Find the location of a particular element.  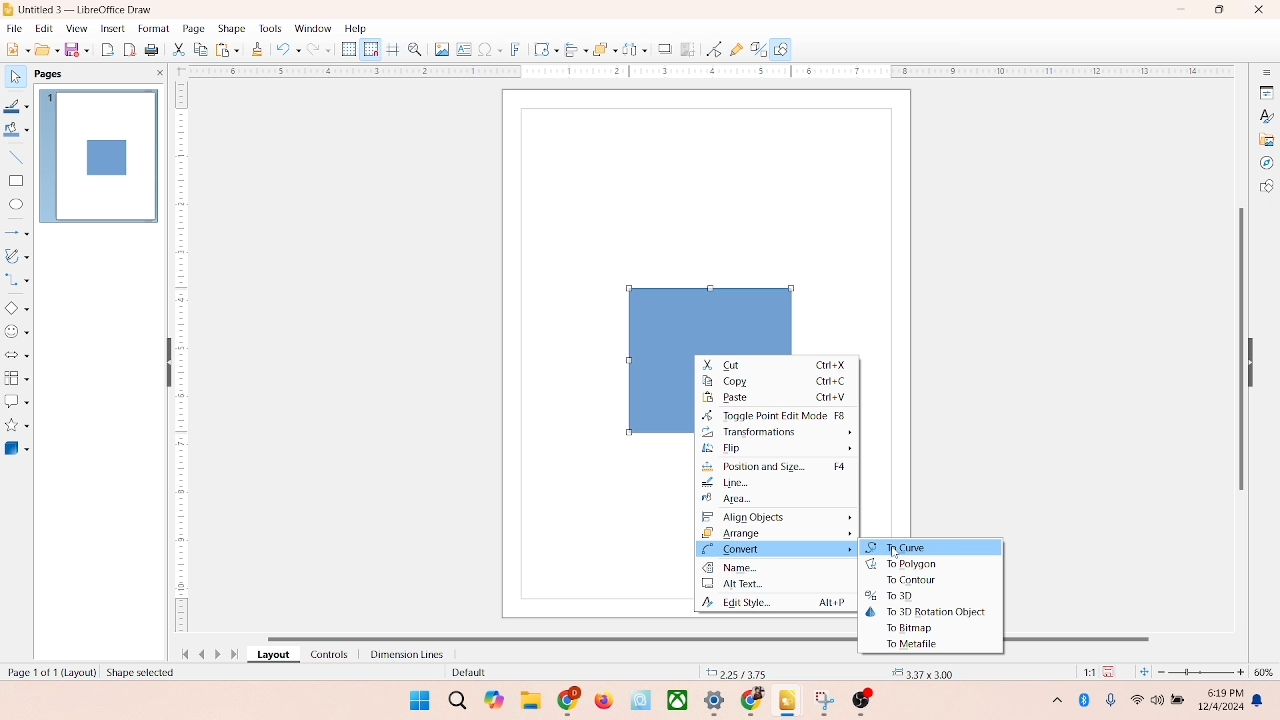

align objects is located at coordinates (780, 517).